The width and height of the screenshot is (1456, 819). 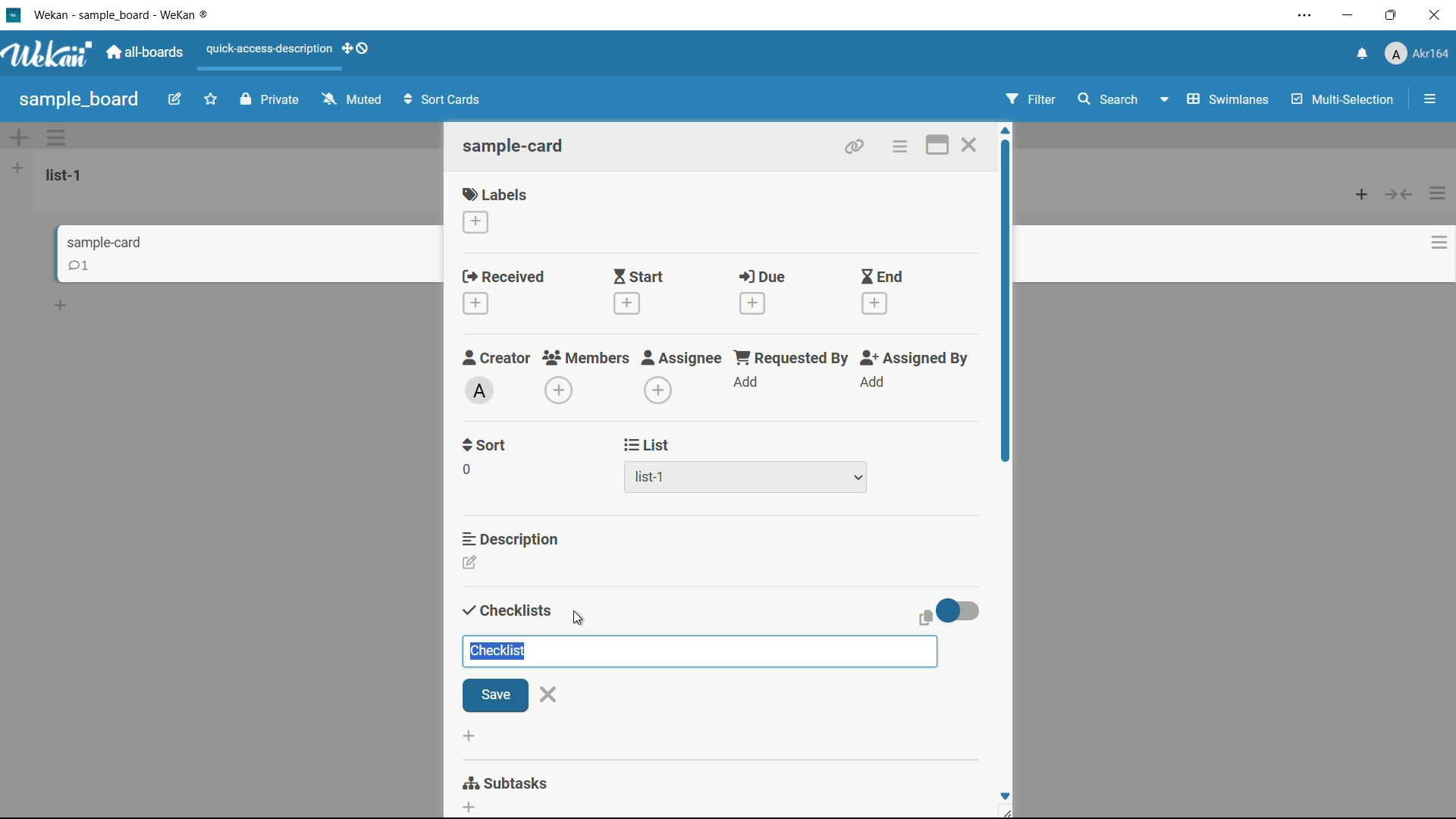 I want to click on 0, so click(x=466, y=469).